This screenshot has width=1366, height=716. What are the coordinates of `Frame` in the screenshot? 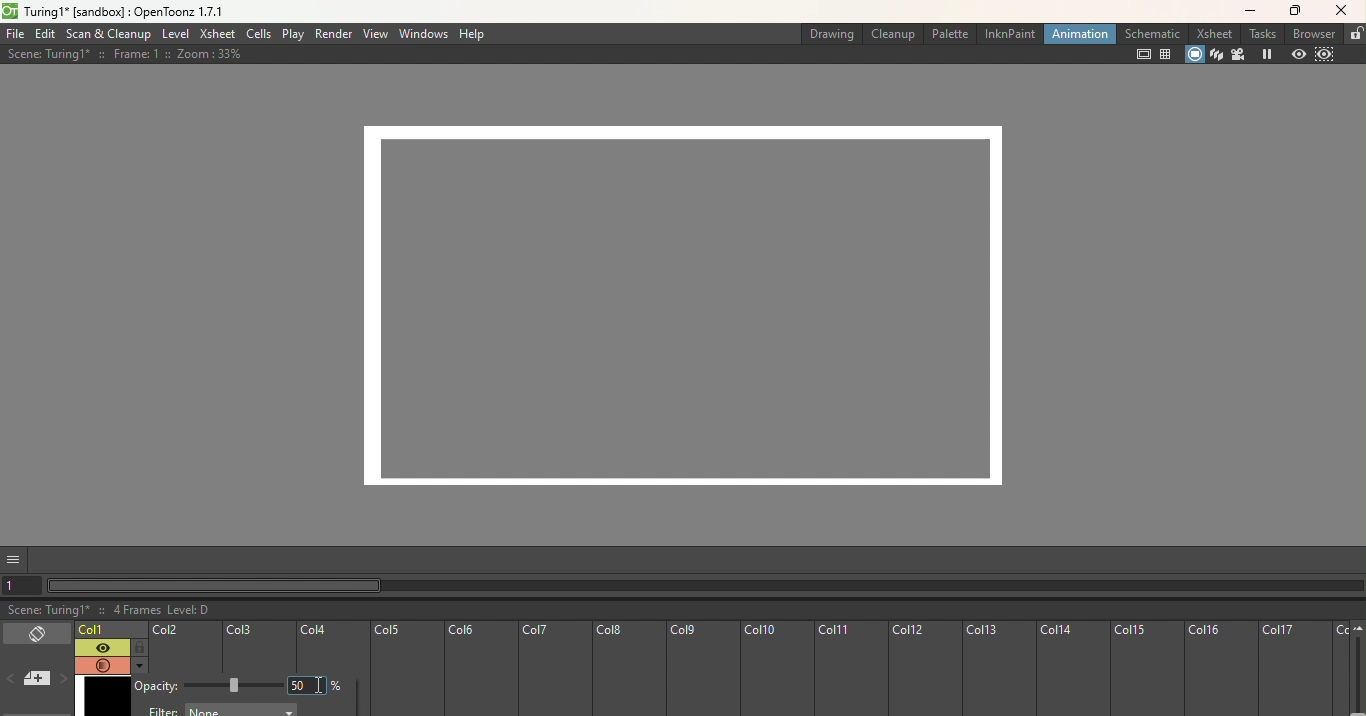 It's located at (102, 694).